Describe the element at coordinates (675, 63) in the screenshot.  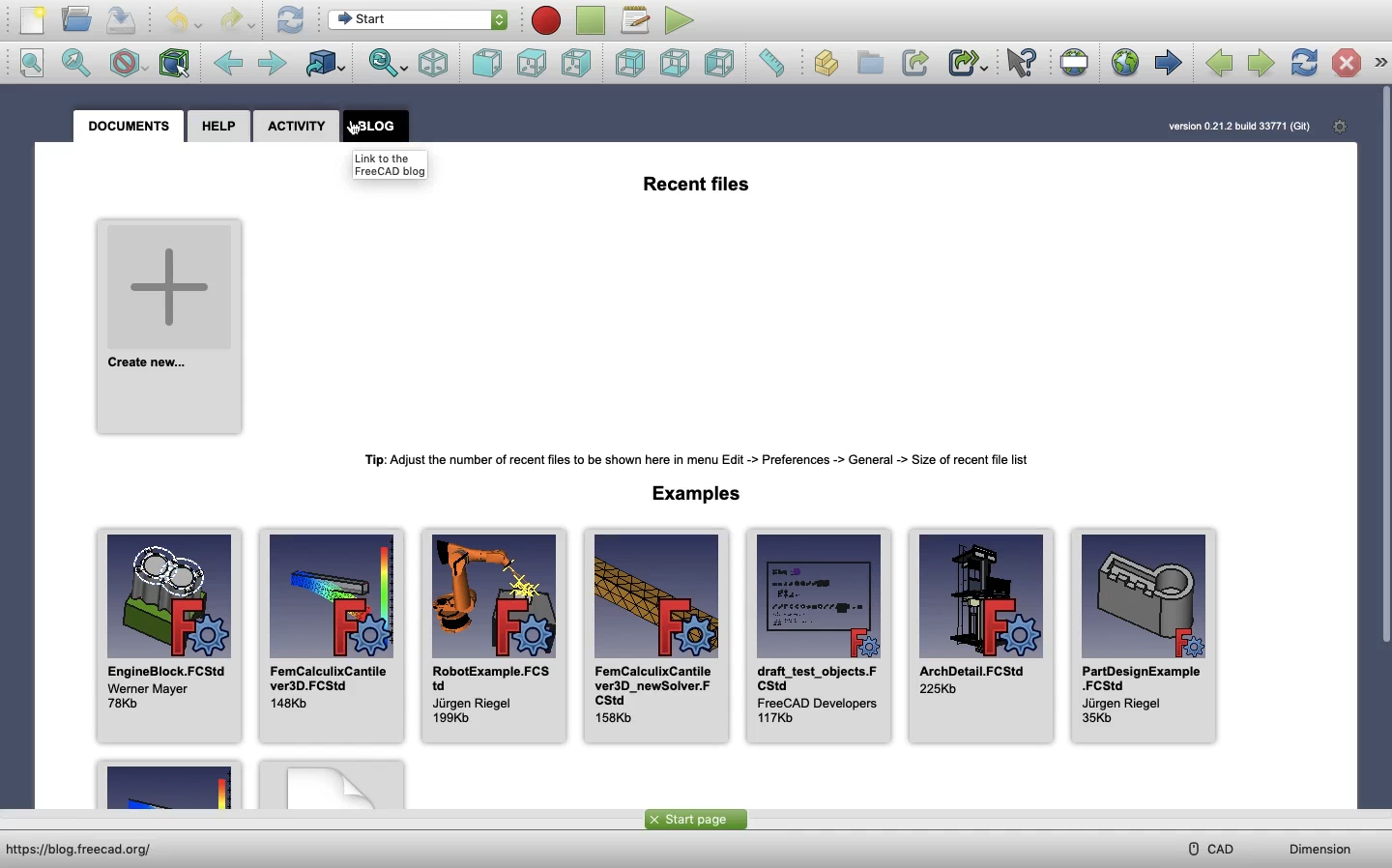
I see `Bottom` at that location.